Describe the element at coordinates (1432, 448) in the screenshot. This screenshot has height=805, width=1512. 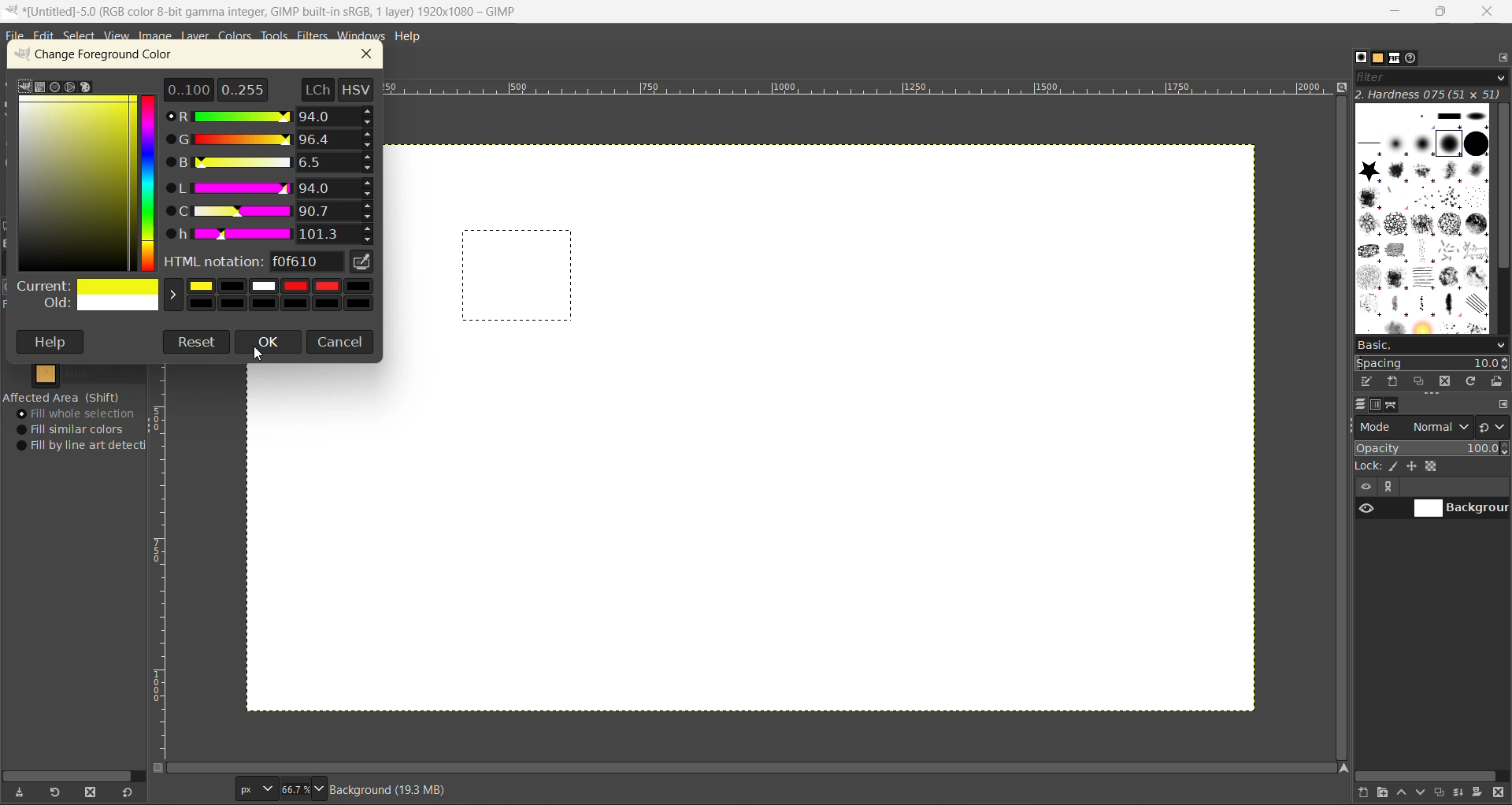
I see `opacity` at that location.